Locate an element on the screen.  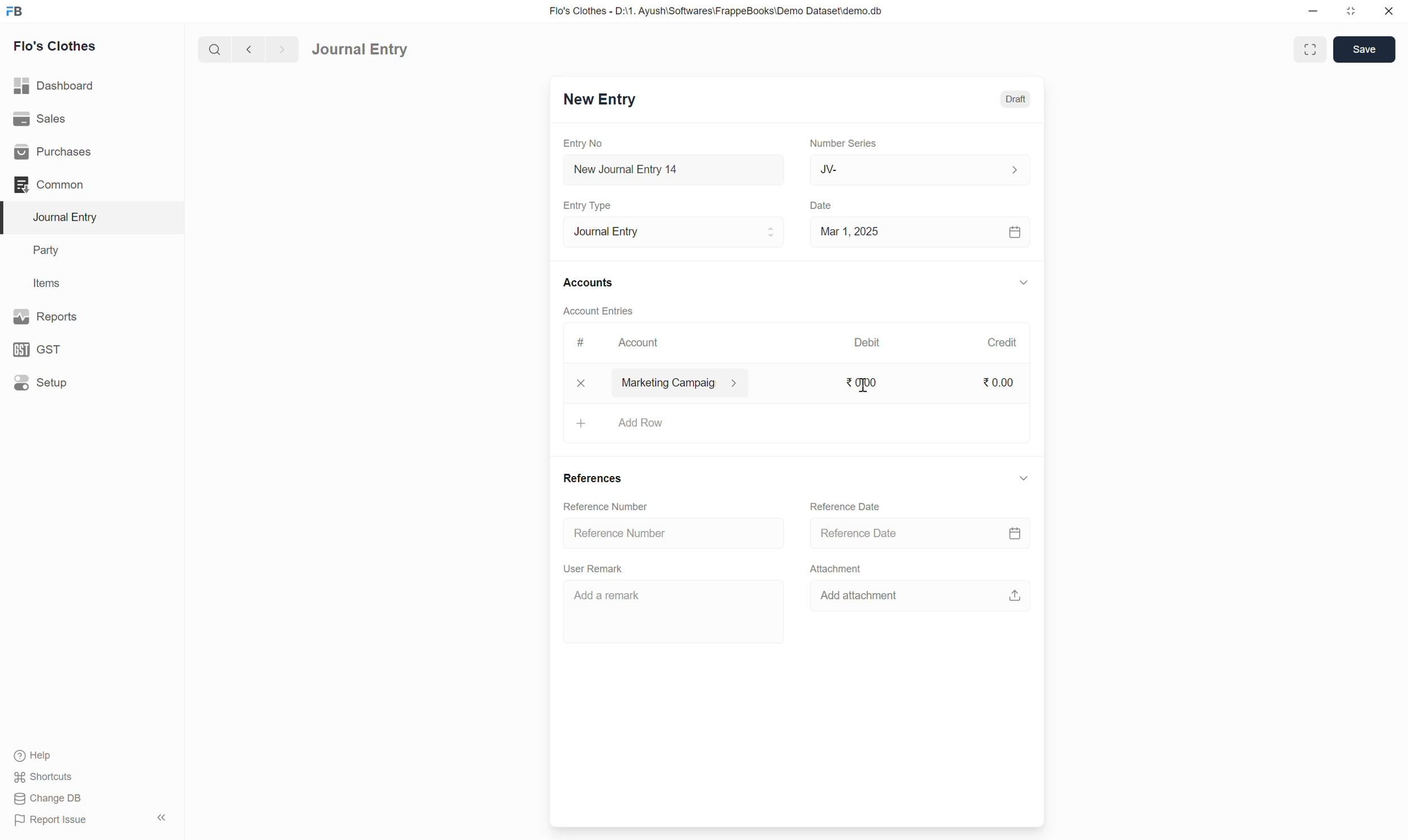
Reference Date is located at coordinates (862, 532).